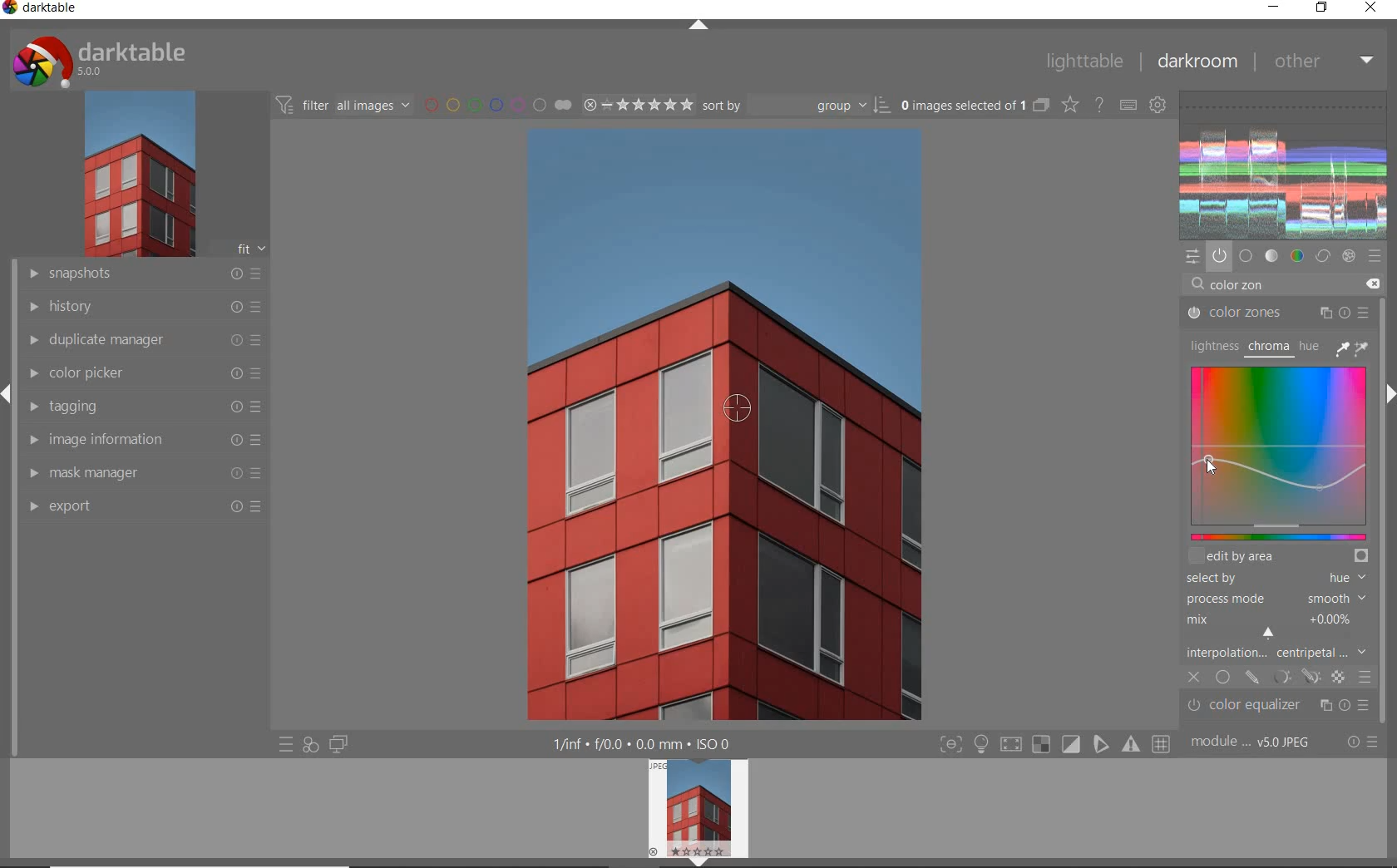  Describe the element at coordinates (1272, 623) in the screenshot. I see `MIX` at that location.